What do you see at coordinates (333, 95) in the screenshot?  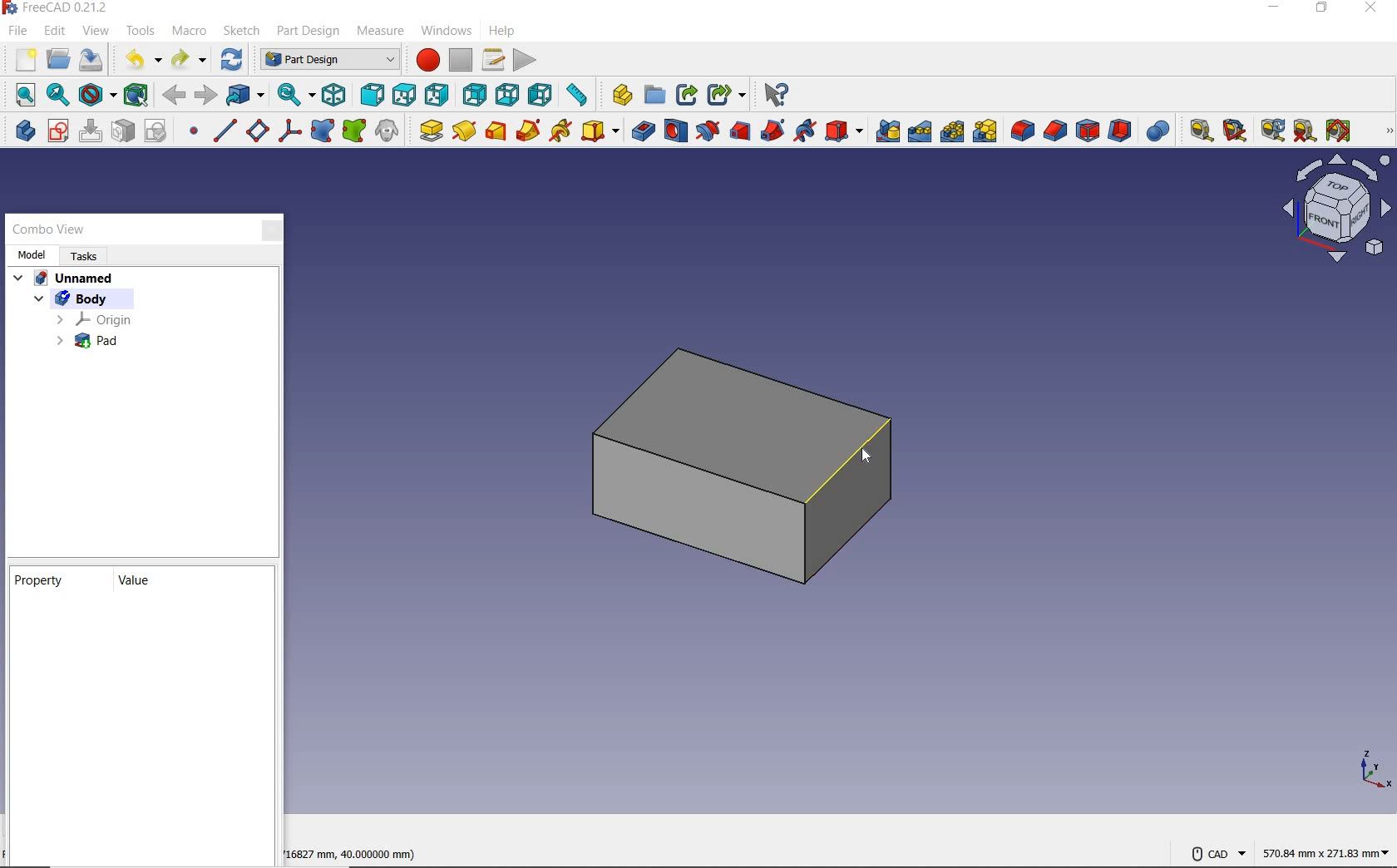 I see `isometric` at bounding box center [333, 95].